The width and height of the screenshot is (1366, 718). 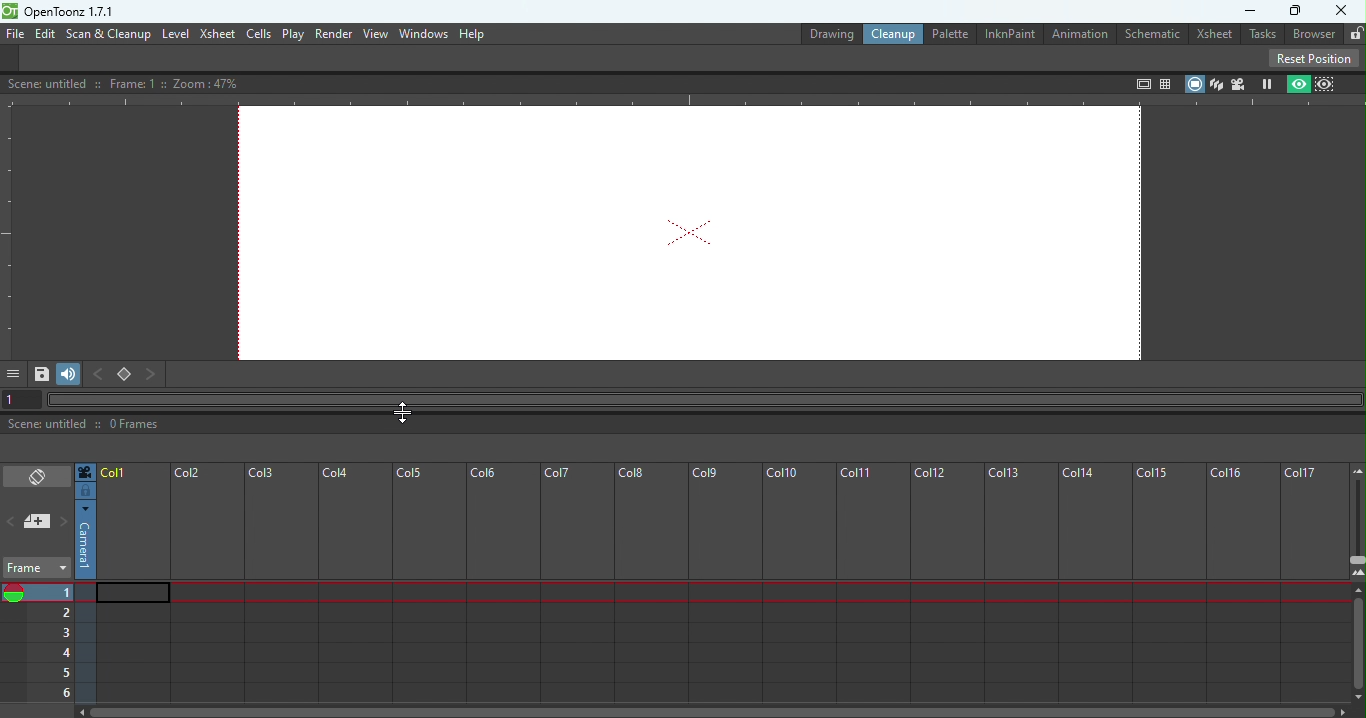 What do you see at coordinates (1013, 33) in the screenshot?
I see `InknPaint` at bounding box center [1013, 33].